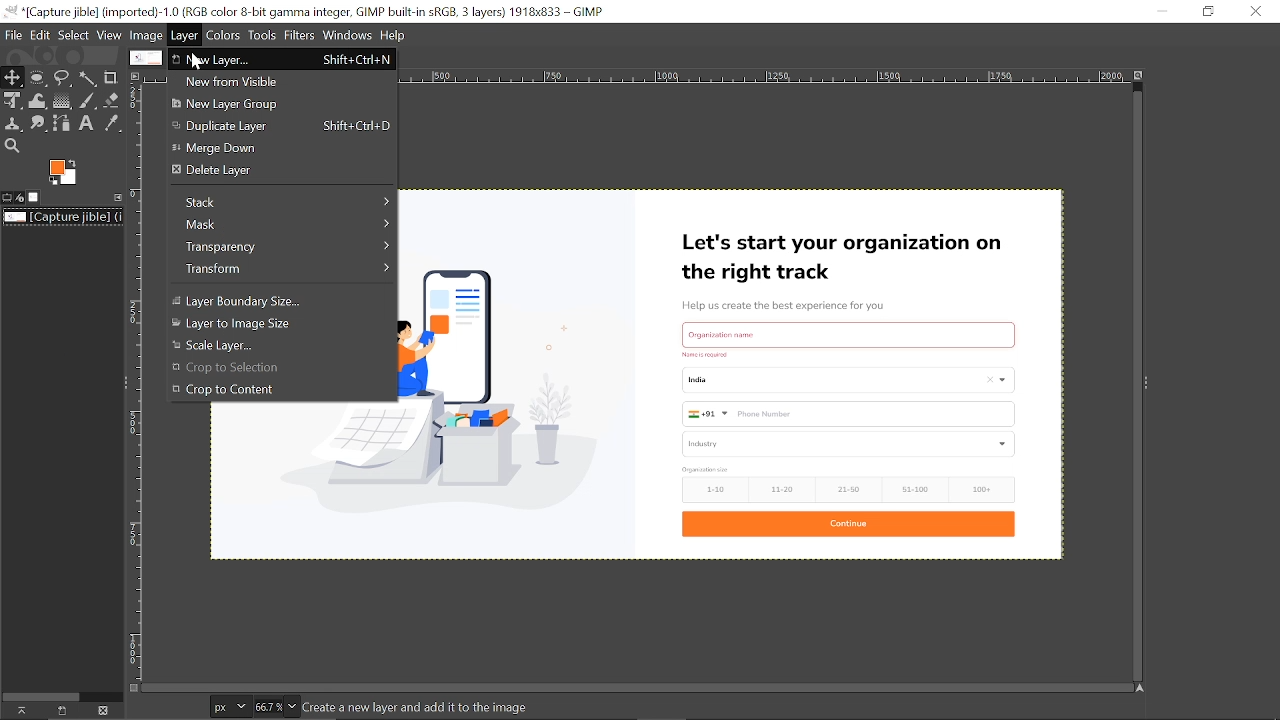  Describe the element at coordinates (111, 77) in the screenshot. I see `Crop tool` at that location.